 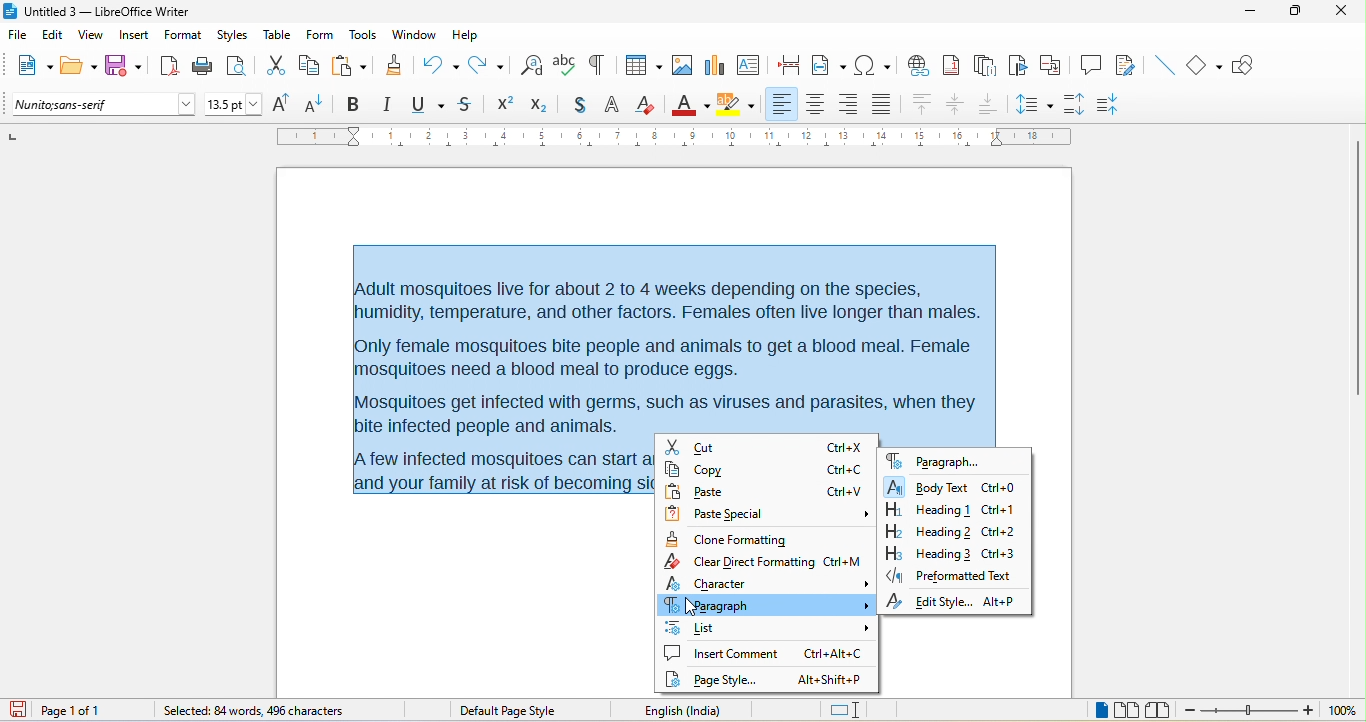 What do you see at coordinates (125, 66) in the screenshot?
I see `save` at bounding box center [125, 66].